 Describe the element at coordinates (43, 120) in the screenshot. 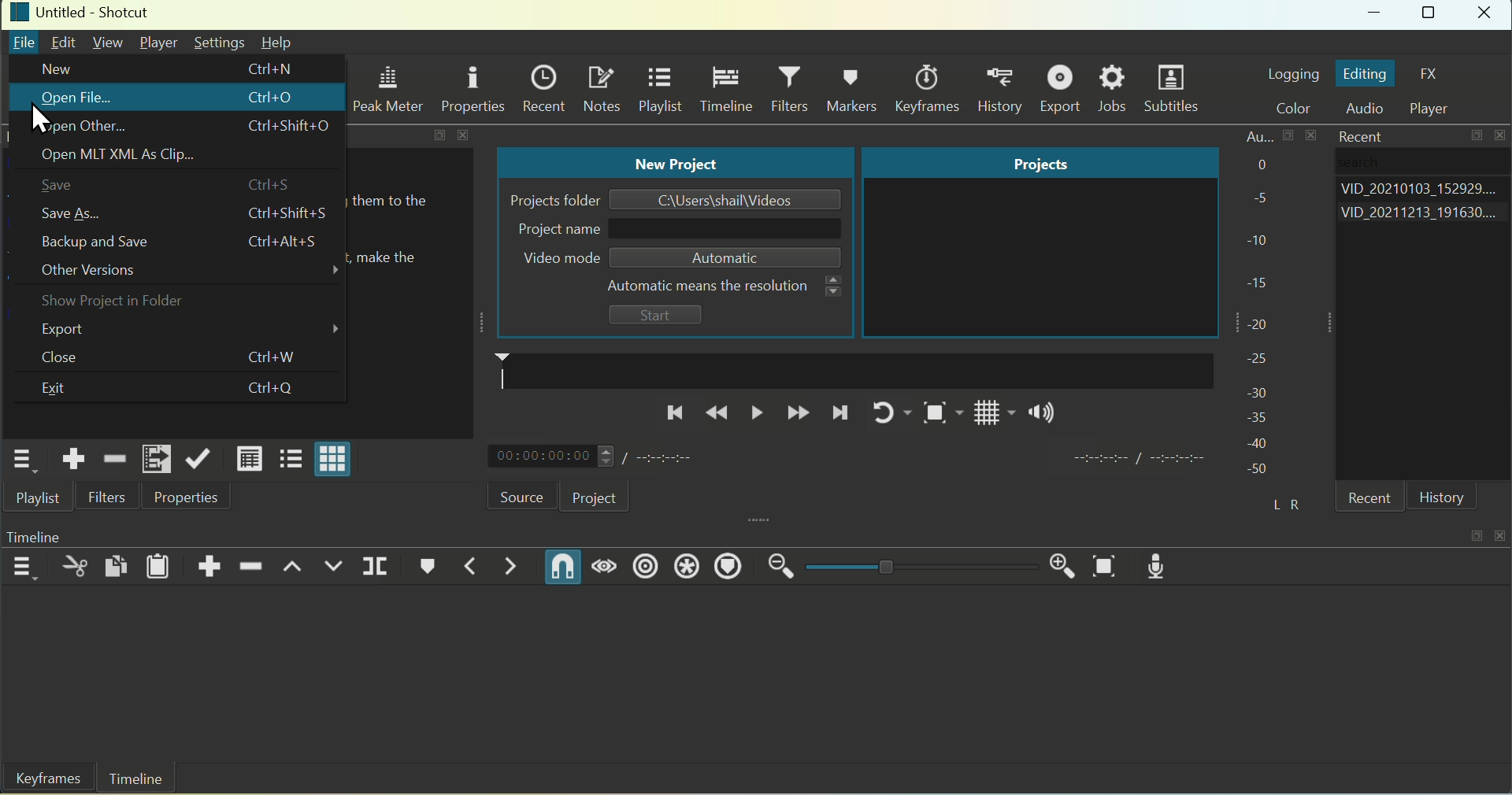

I see `cursor` at that location.